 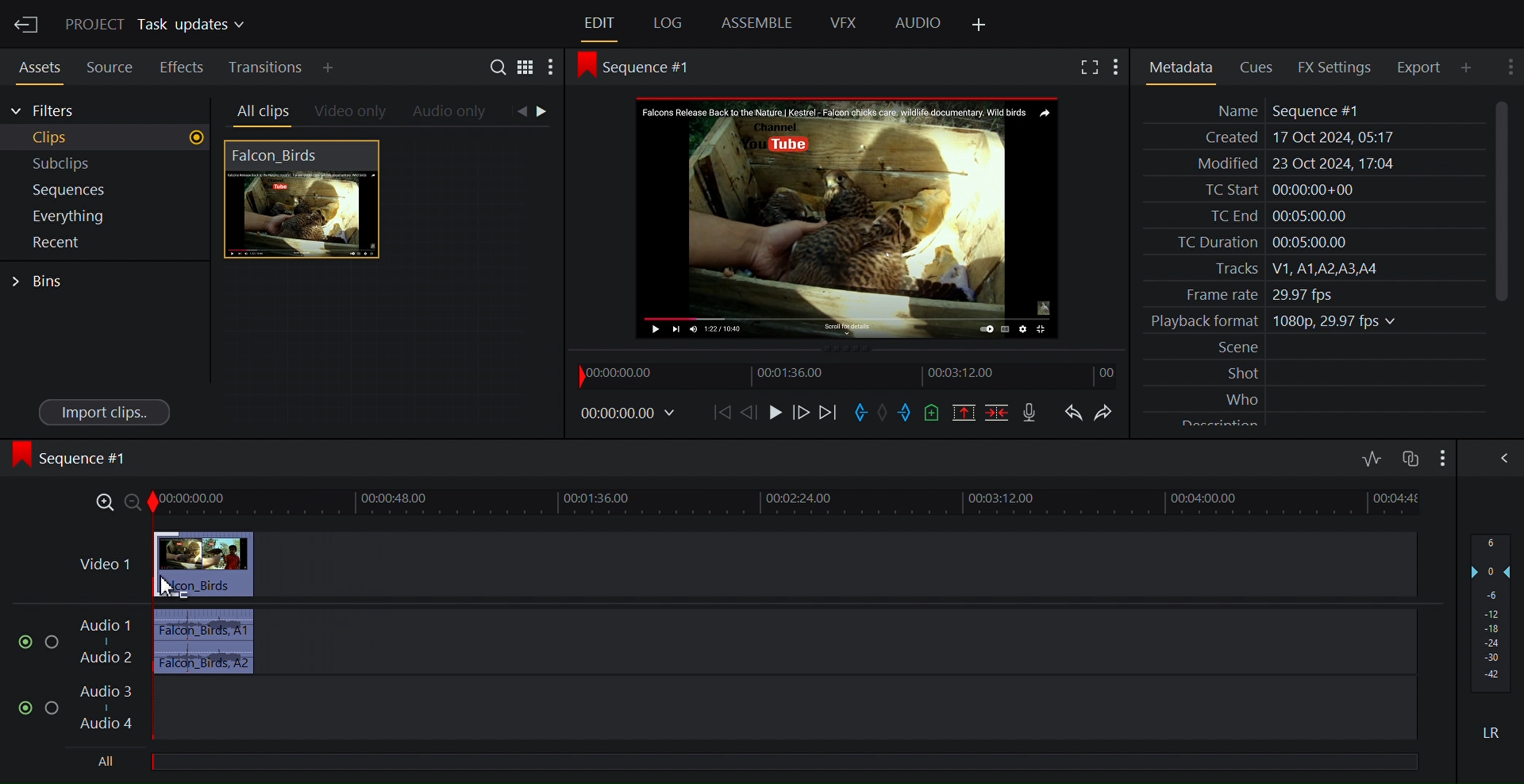 What do you see at coordinates (383, 285) in the screenshot?
I see `Clip Thumbnail` at bounding box center [383, 285].